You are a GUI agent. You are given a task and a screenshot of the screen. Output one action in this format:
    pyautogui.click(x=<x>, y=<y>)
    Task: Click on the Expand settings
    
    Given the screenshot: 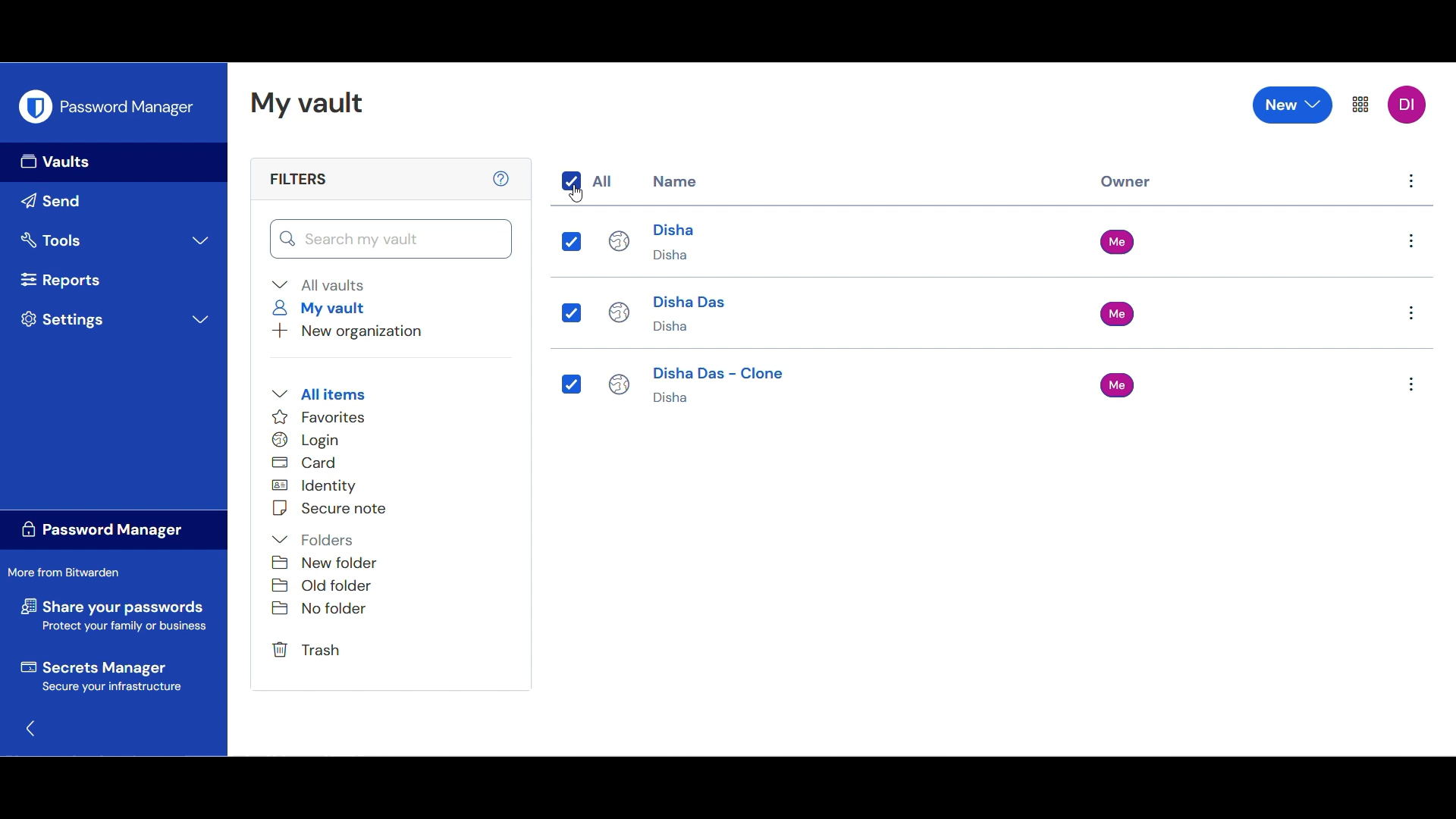 What is the action you would take?
    pyautogui.click(x=118, y=319)
    